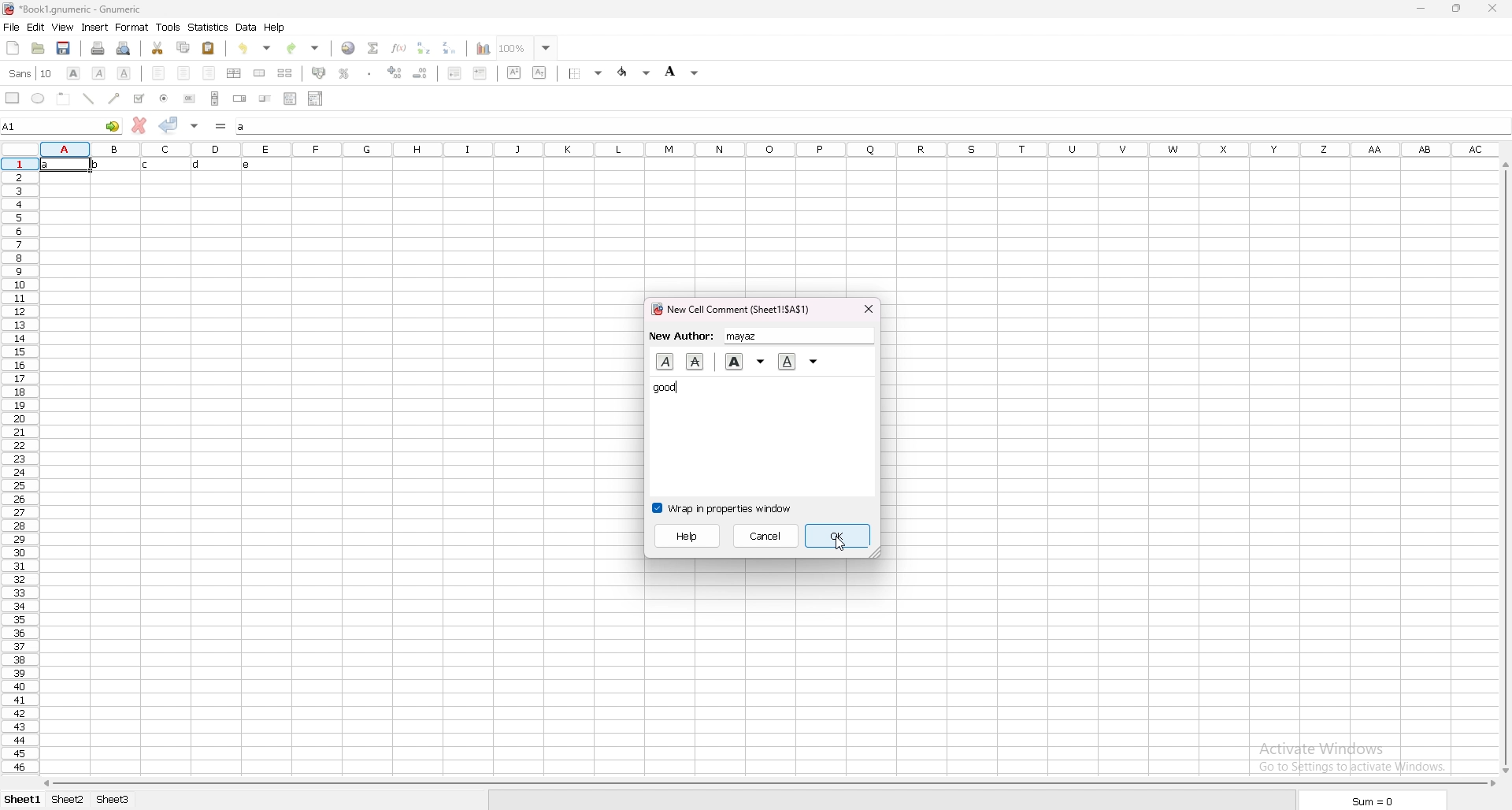  I want to click on open, so click(39, 48).